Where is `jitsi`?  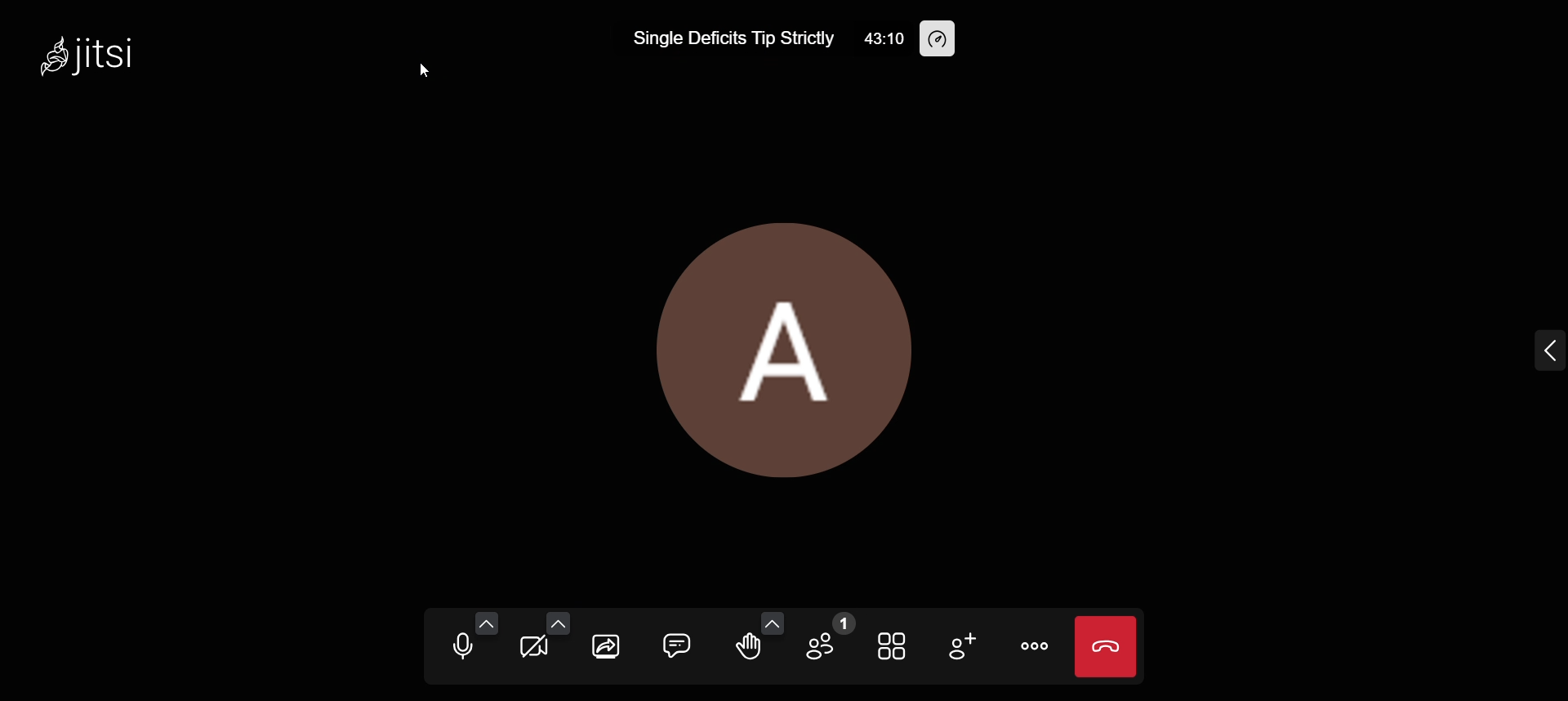
jitsi is located at coordinates (88, 51).